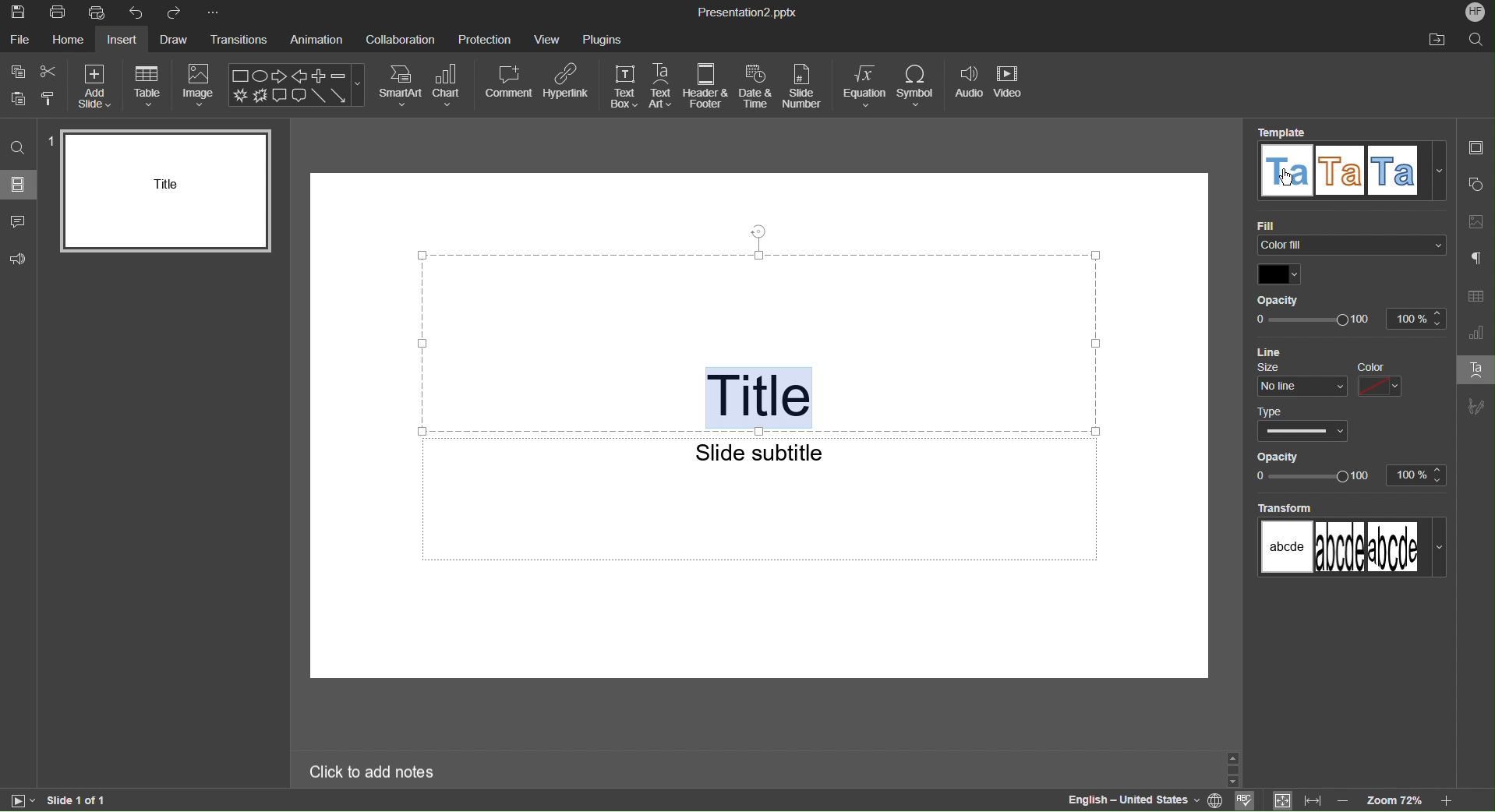 The height and width of the screenshot is (812, 1495). Describe the element at coordinates (401, 40) in the screenshot. I see `Collaboration` at that location.